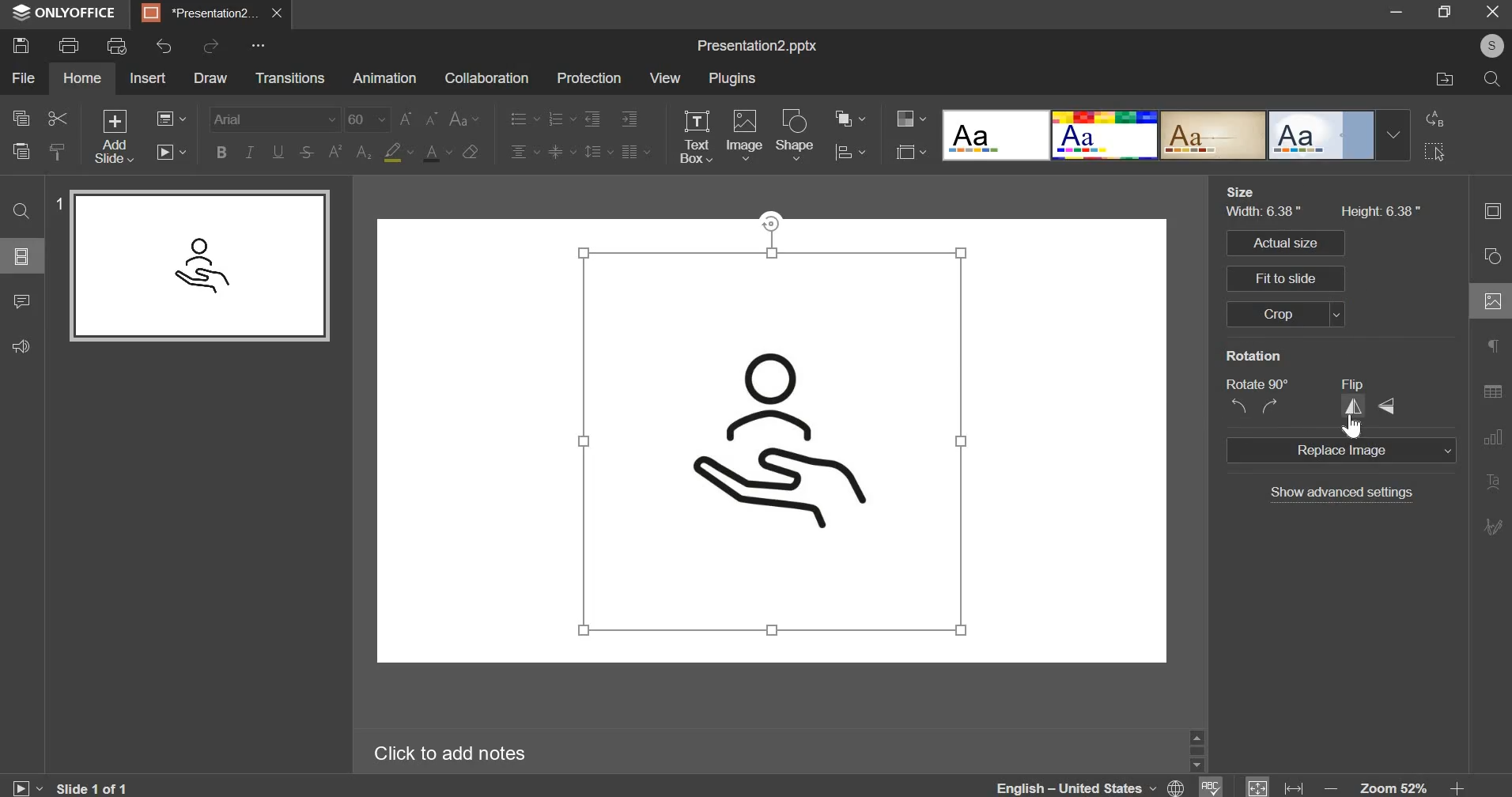 The height and width of the screenshot is (797, 1512). I want to click on slide 1 of 1, so click(70, 788).